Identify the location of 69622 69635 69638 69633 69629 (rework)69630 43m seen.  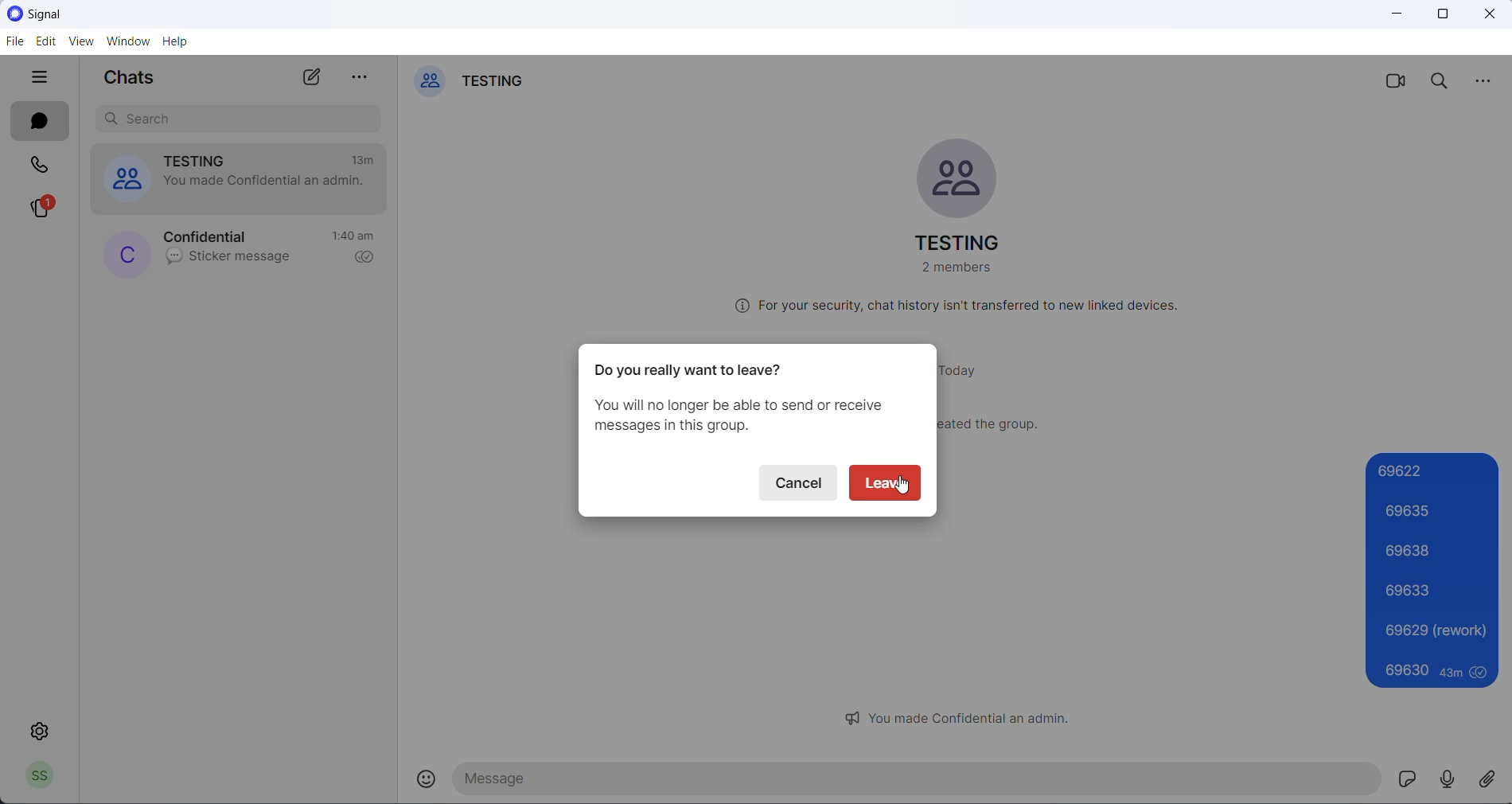
(1431, 568).